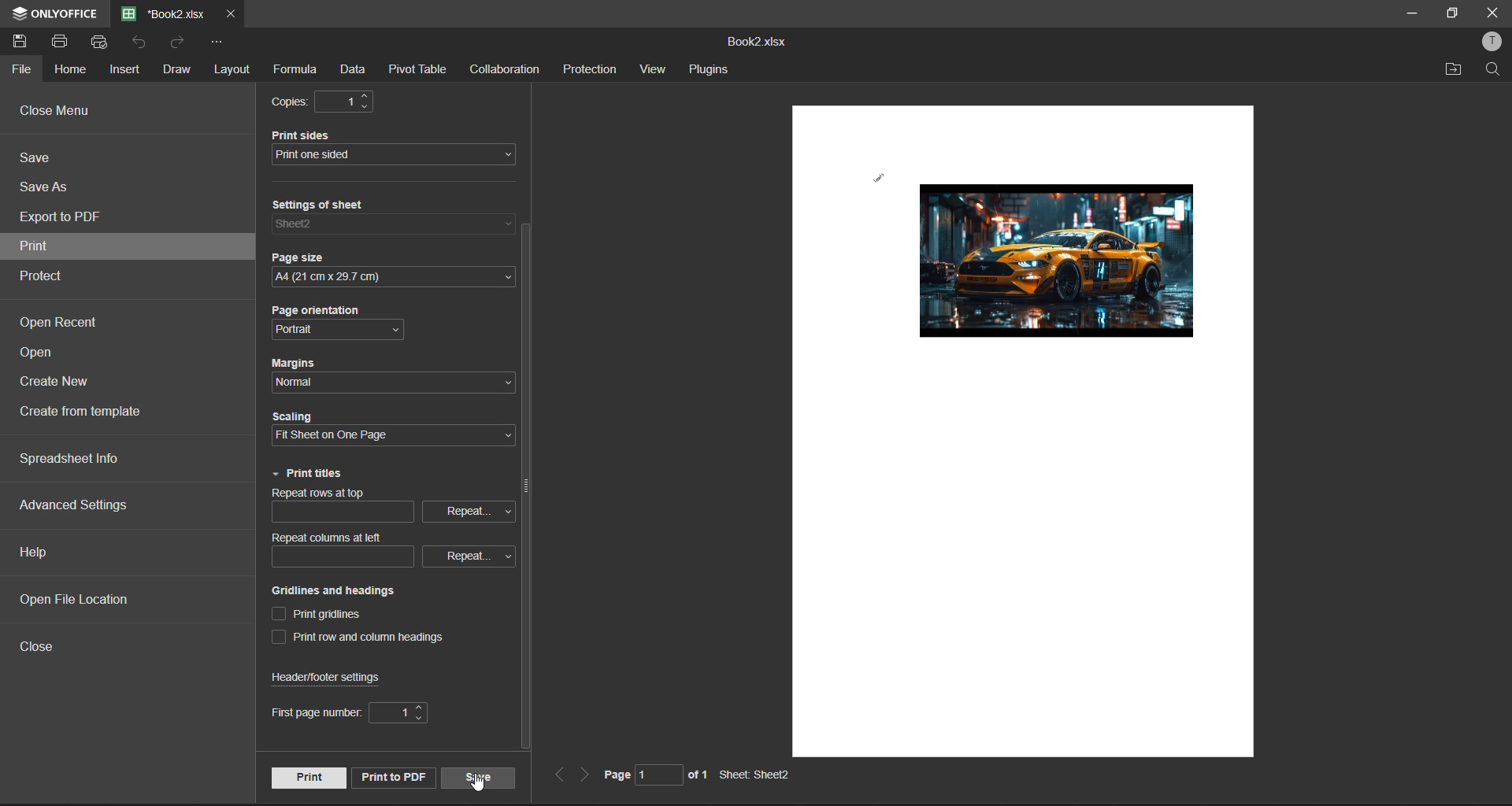 The height and width of the screenshot is (806, 1512). I want to click on sheet2, so click(321, 224).